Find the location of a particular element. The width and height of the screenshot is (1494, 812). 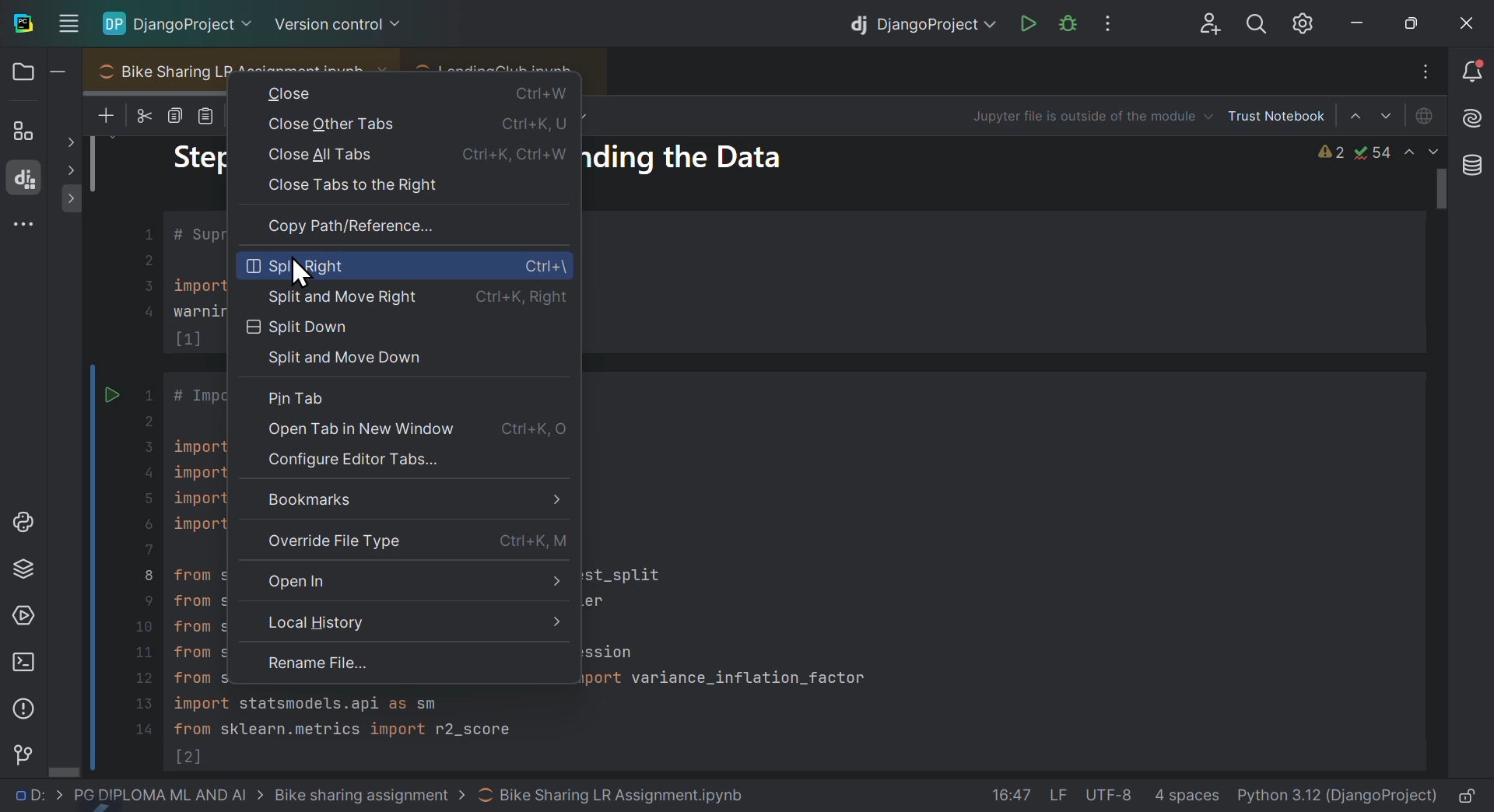

Python packages is located at coordinates (22, 573).